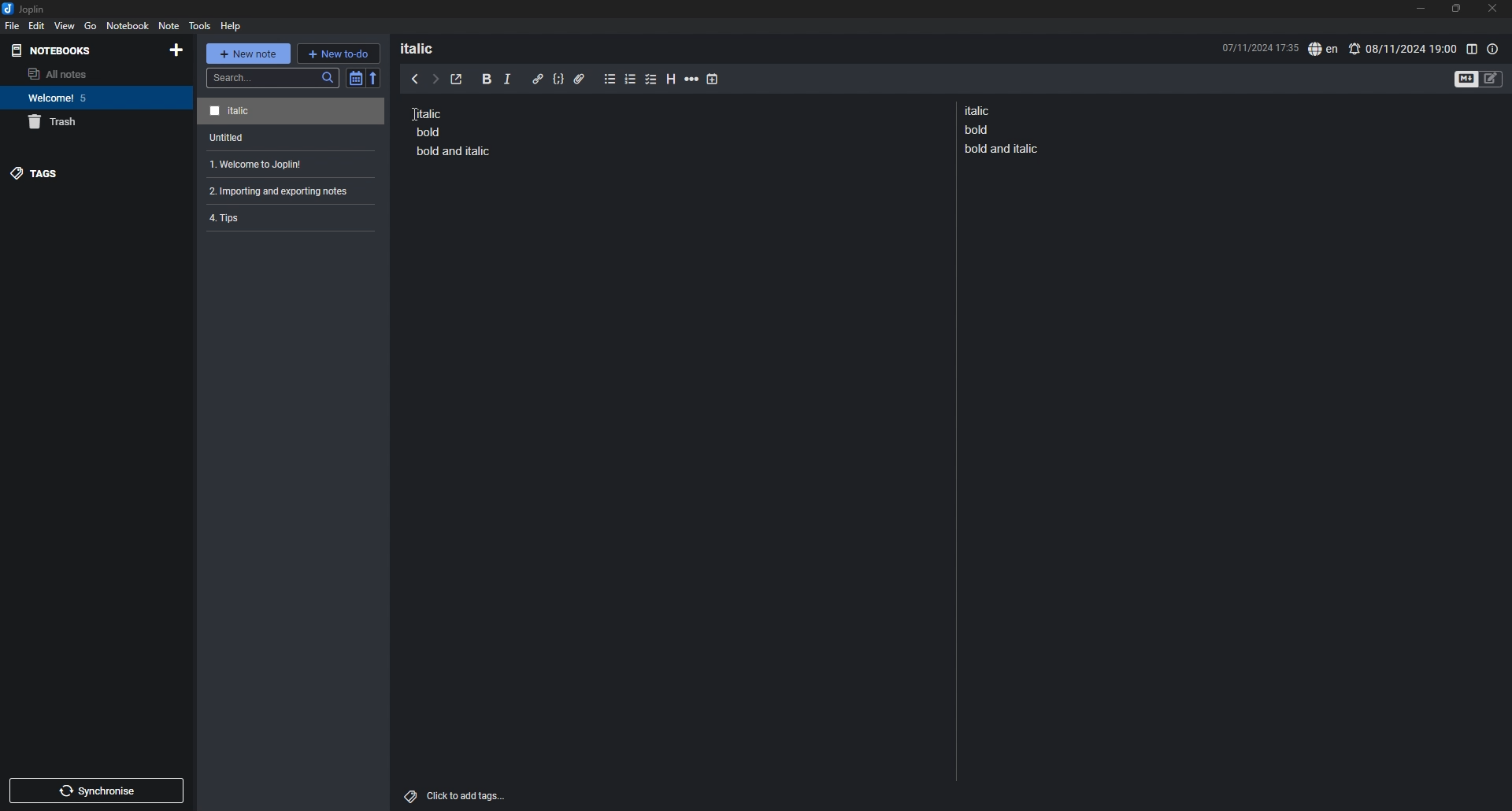 This screenshot has width=1512, height=811. Describe the element at coordinates (168, 25) in the screenshot. I see `note` at that location.